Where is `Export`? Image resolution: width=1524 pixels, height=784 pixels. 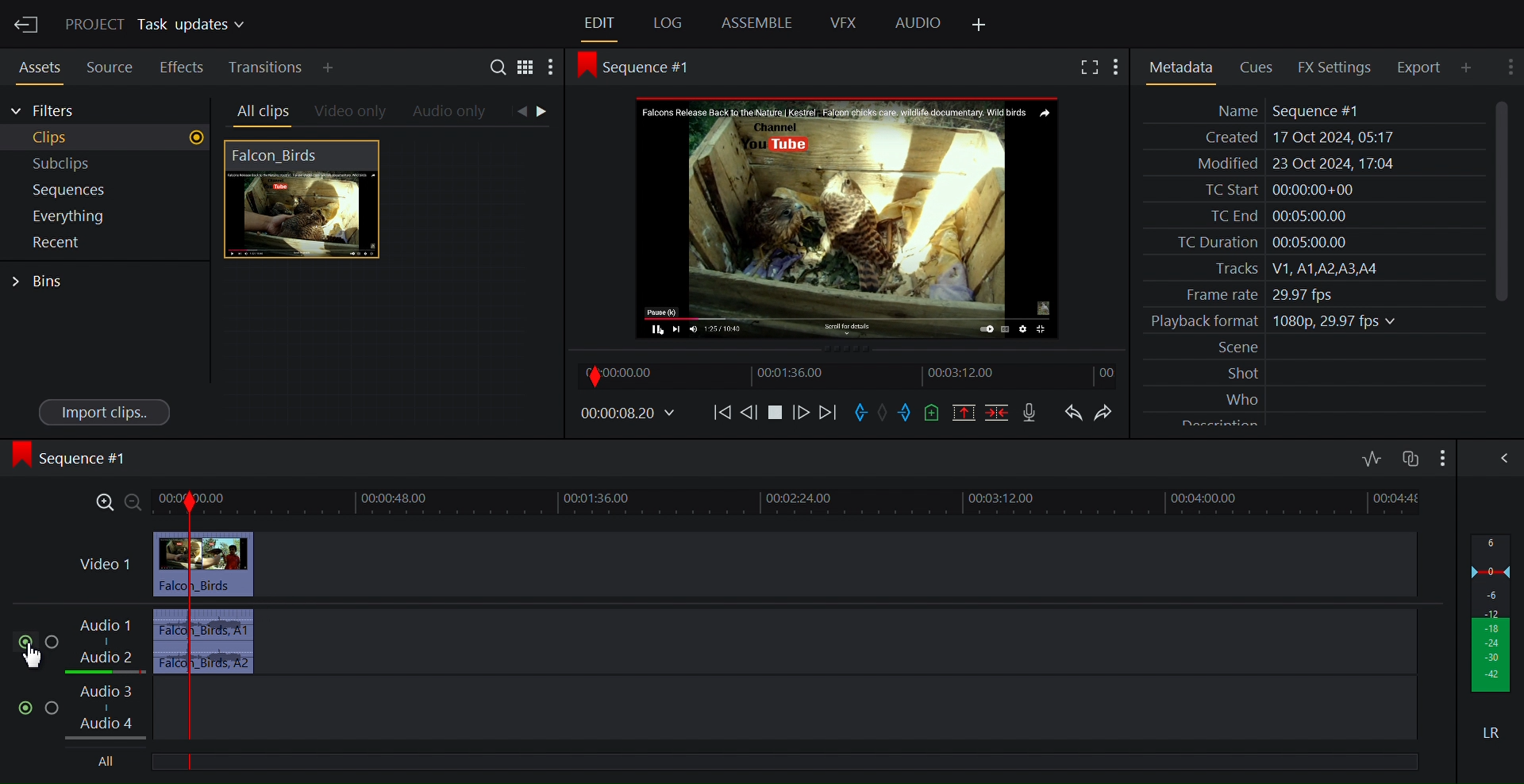
Export is located at coordinates (1425, 67).